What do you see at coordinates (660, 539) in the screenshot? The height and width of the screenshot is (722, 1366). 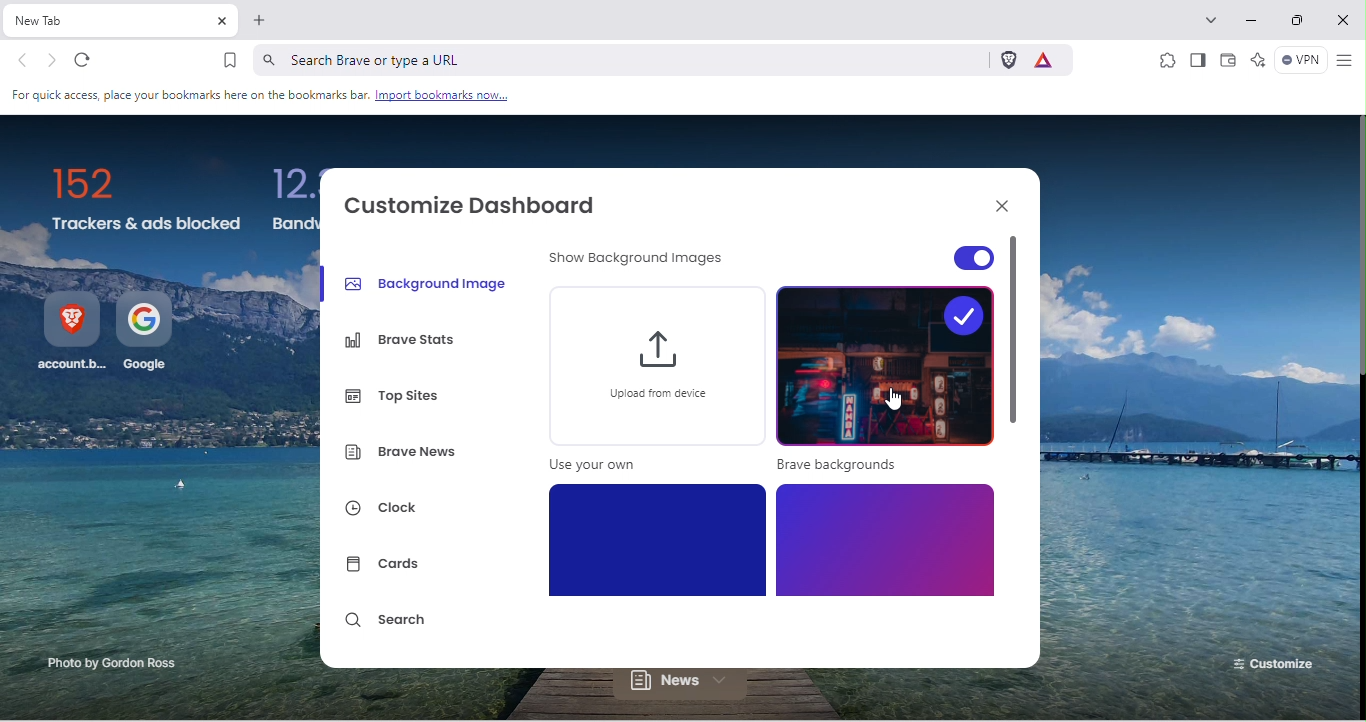 I see `Gradient` at bounding box center [660, 539].